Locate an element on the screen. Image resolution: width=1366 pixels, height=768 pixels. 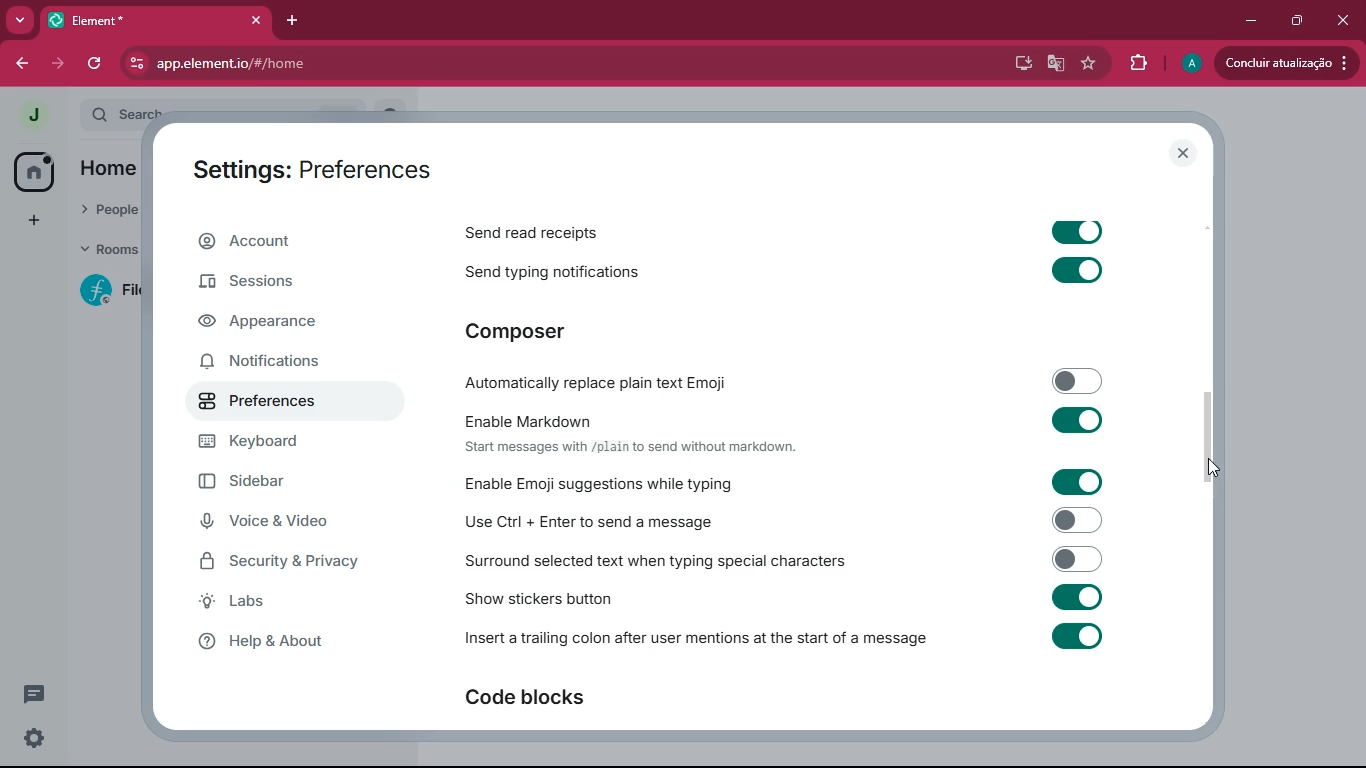
Send typing notifications is located at coordinates (794, 272).